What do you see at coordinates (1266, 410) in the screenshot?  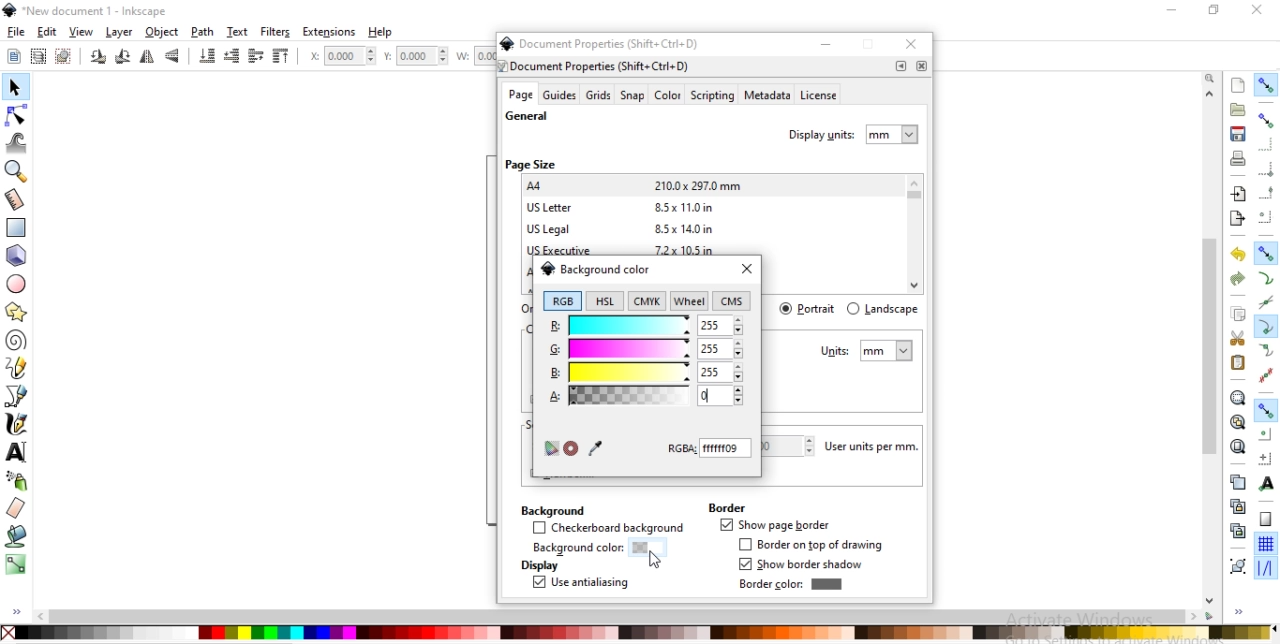 I see `snap other points` at bounding box center [1266, 410].